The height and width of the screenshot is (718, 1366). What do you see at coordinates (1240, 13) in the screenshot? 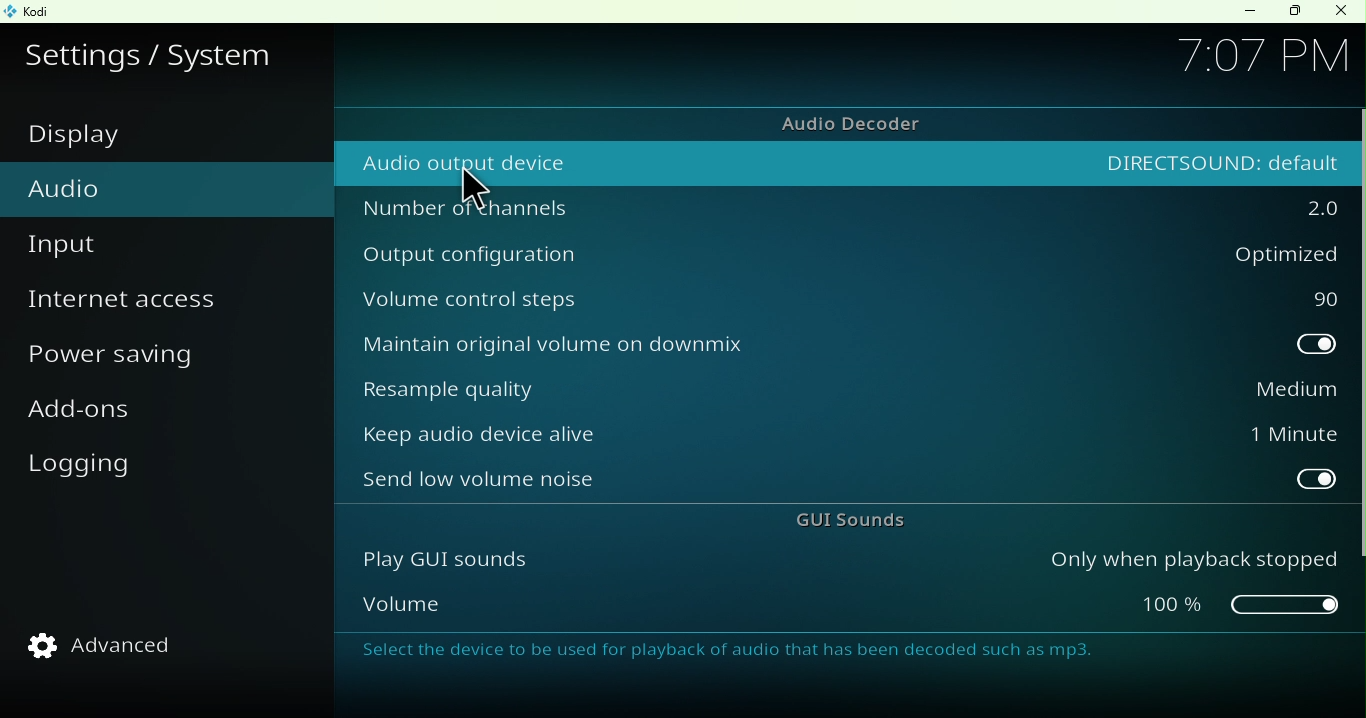
I see `Minimize` at bounding box center [1240, 13].